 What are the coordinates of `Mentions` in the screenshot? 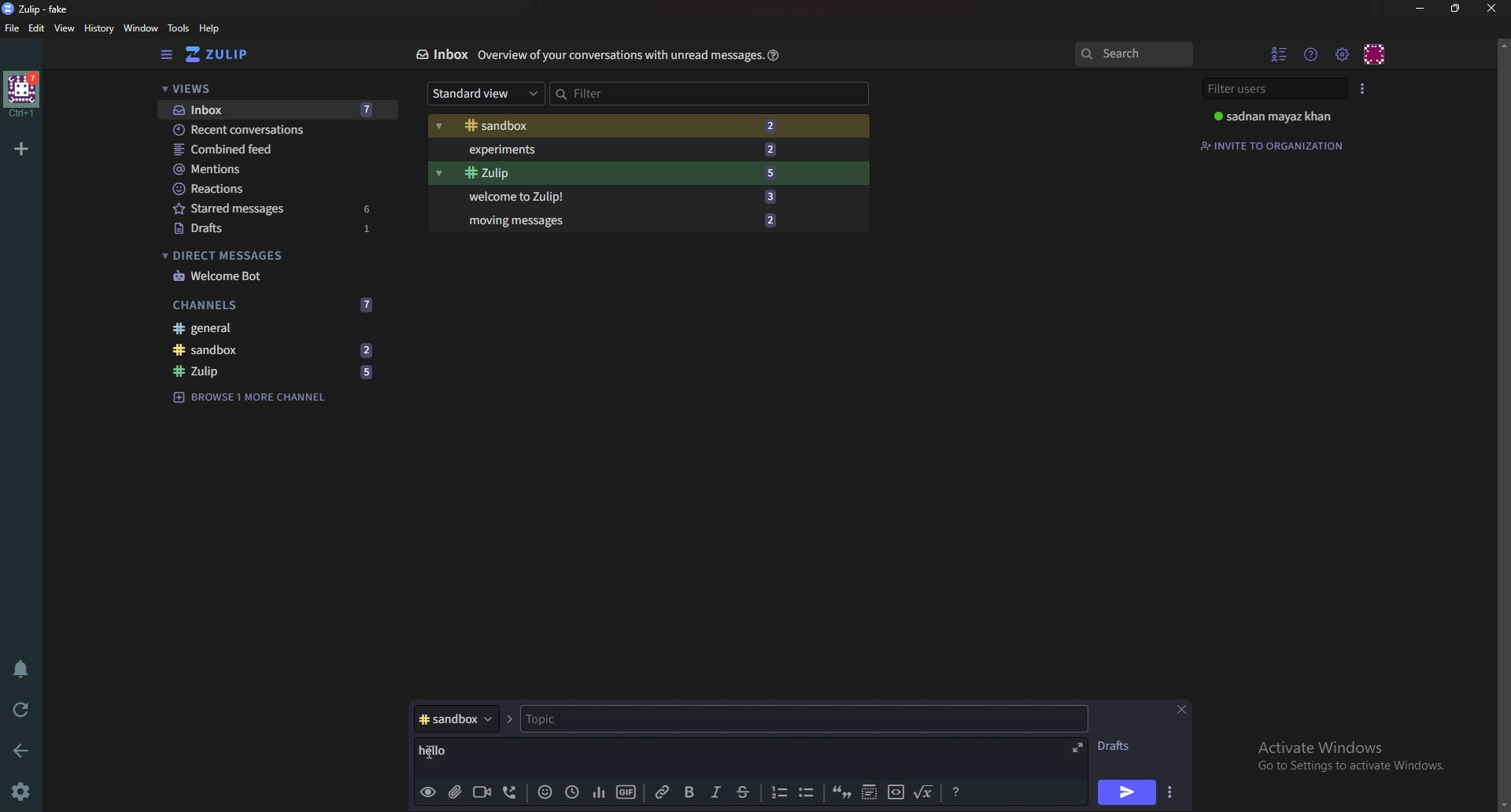 It's located at (267, 168).